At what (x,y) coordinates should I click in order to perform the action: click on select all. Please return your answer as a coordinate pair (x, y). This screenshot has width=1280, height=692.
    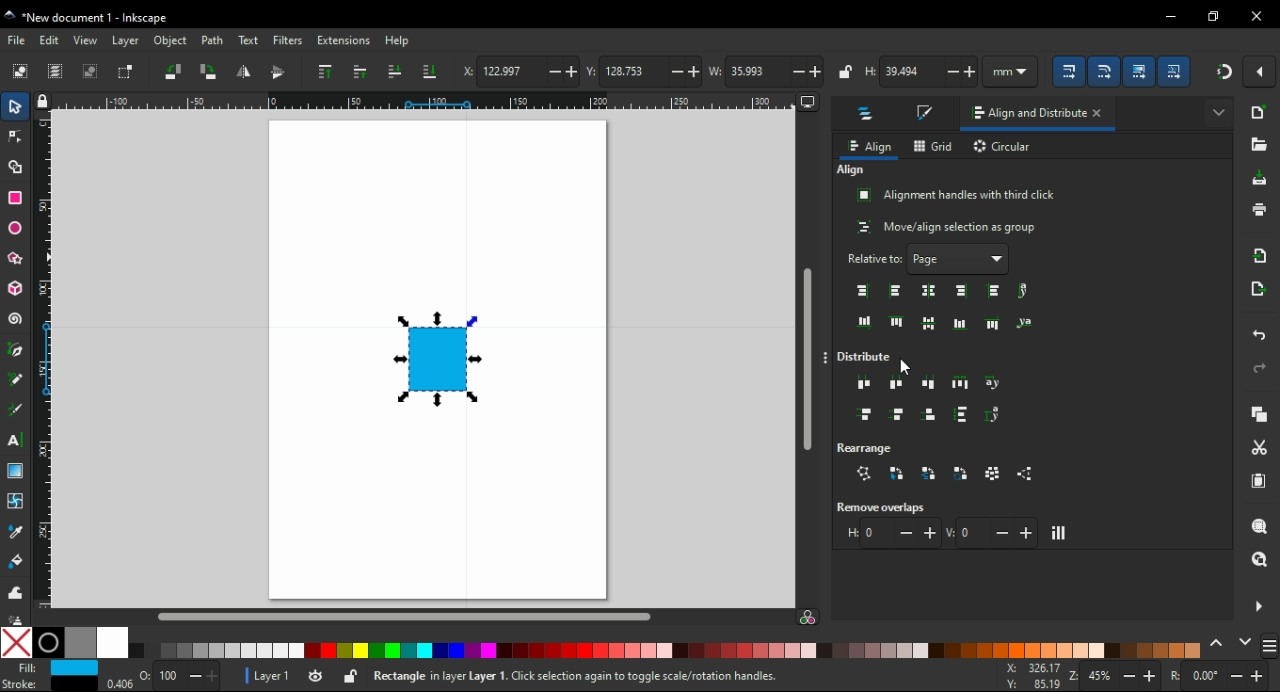
    Looking at the image, I should click on (19, 70).